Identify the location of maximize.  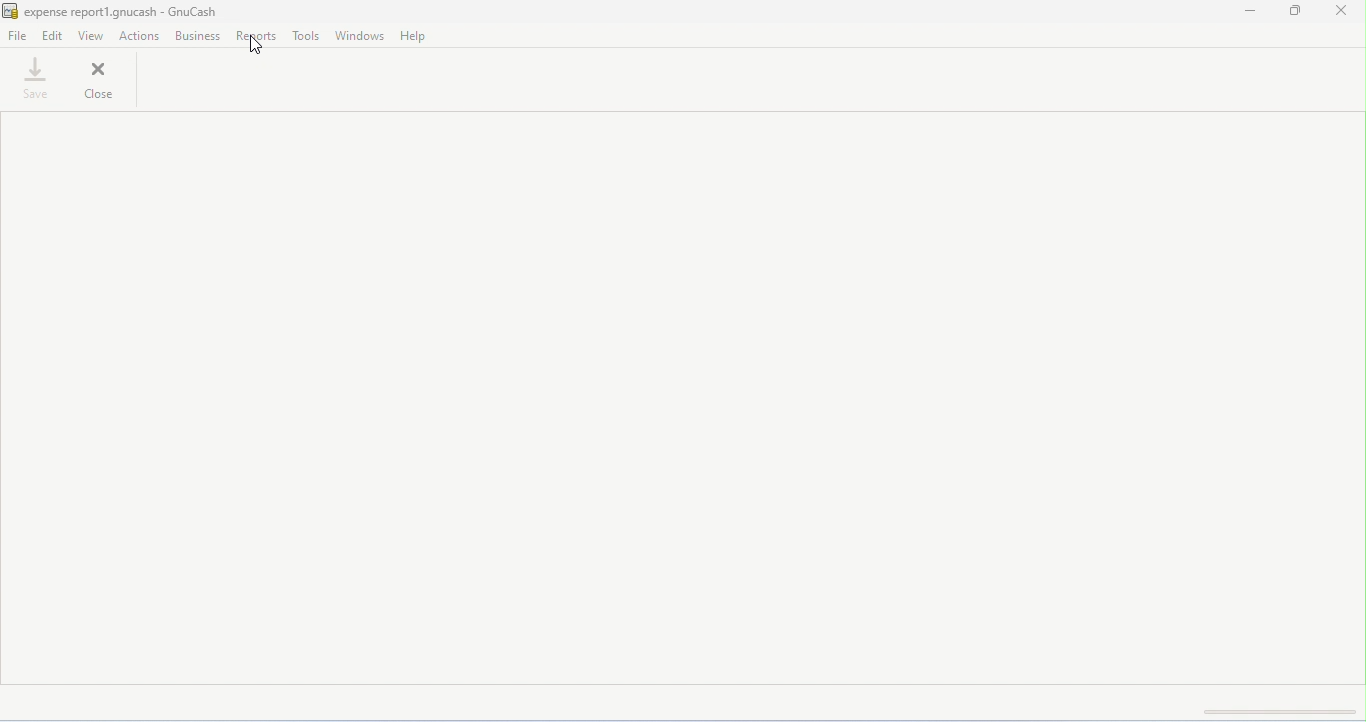
(1292, 11).